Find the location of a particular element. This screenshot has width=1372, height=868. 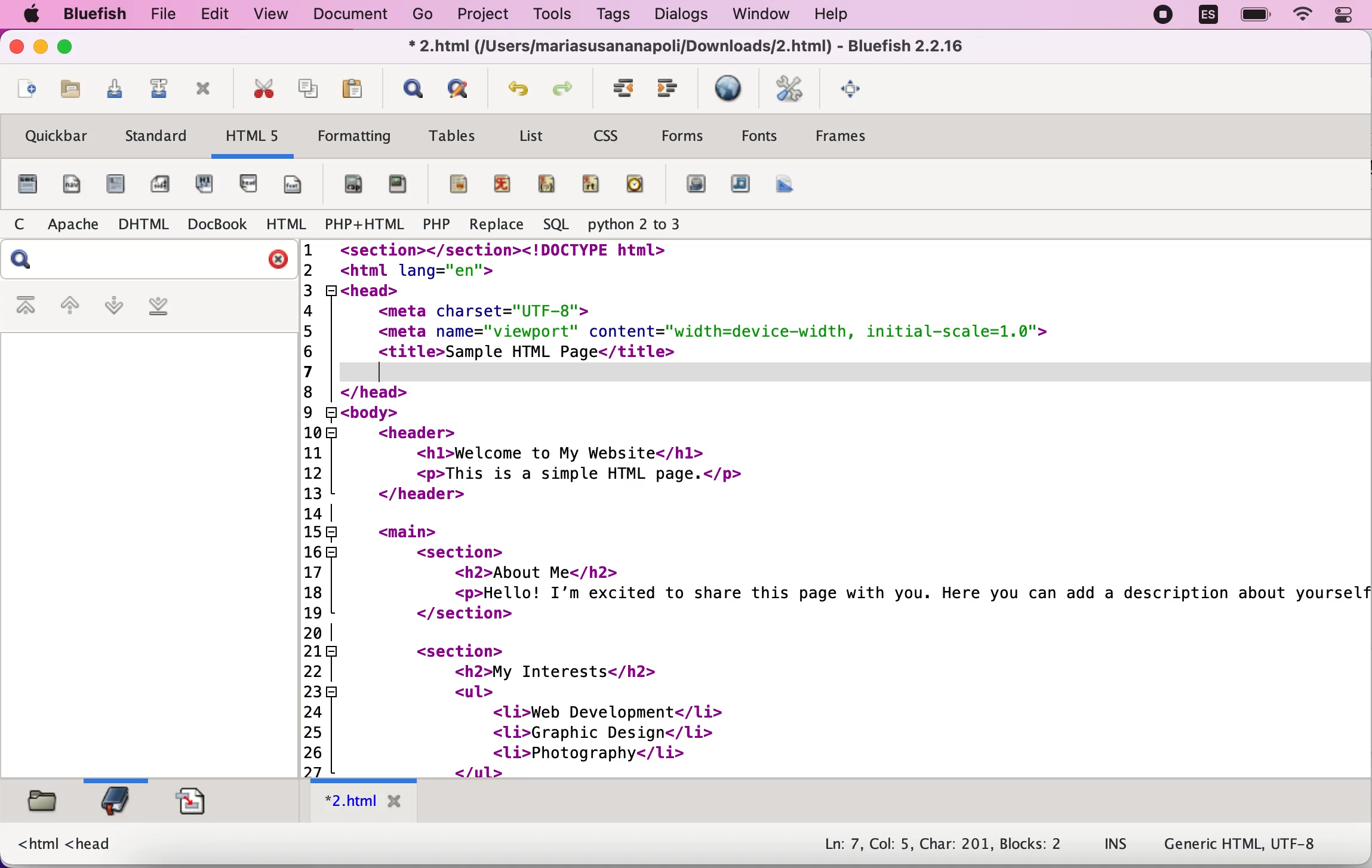

ruby text is located at coordinates (593, 183).